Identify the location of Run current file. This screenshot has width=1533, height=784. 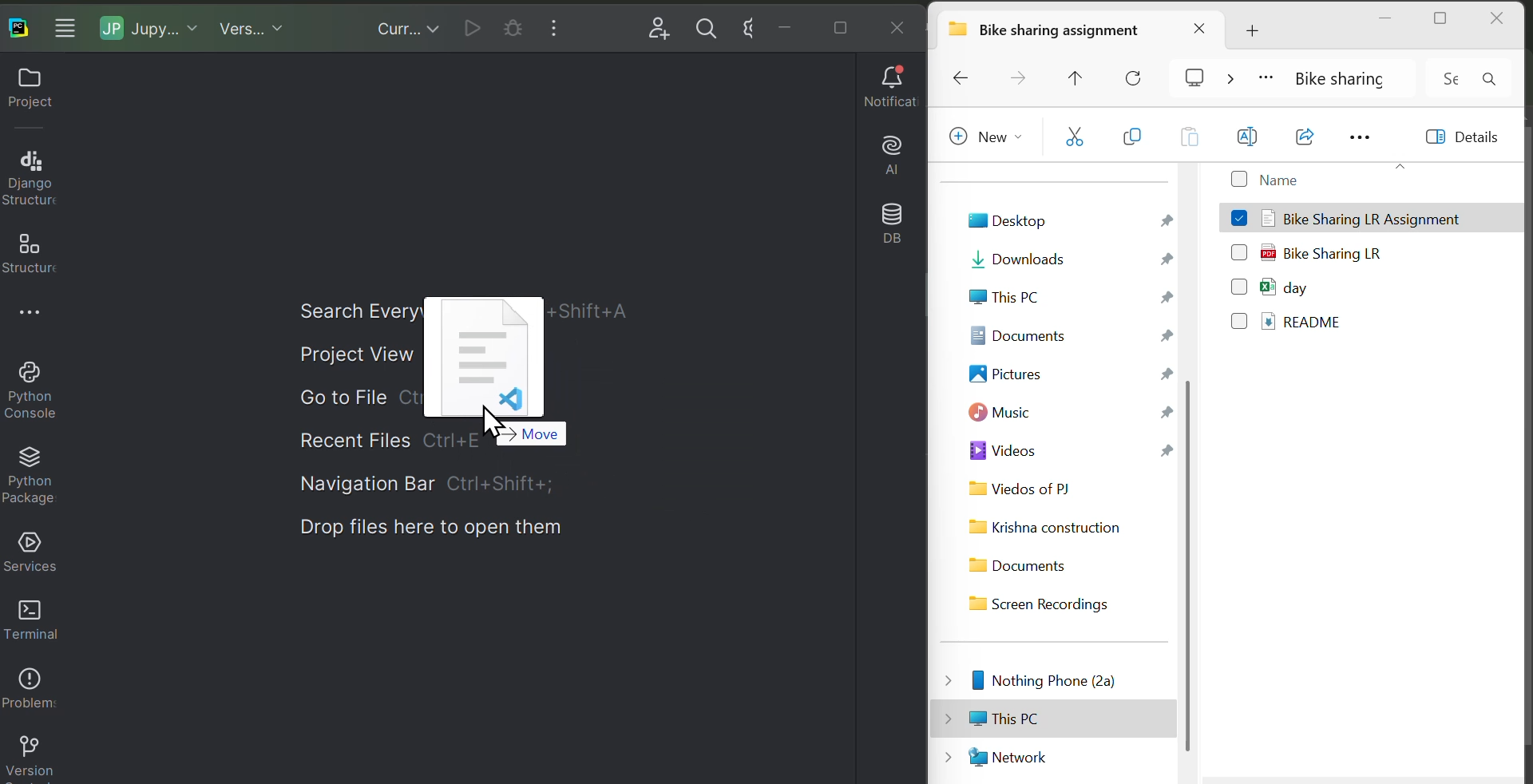
(472, 25).